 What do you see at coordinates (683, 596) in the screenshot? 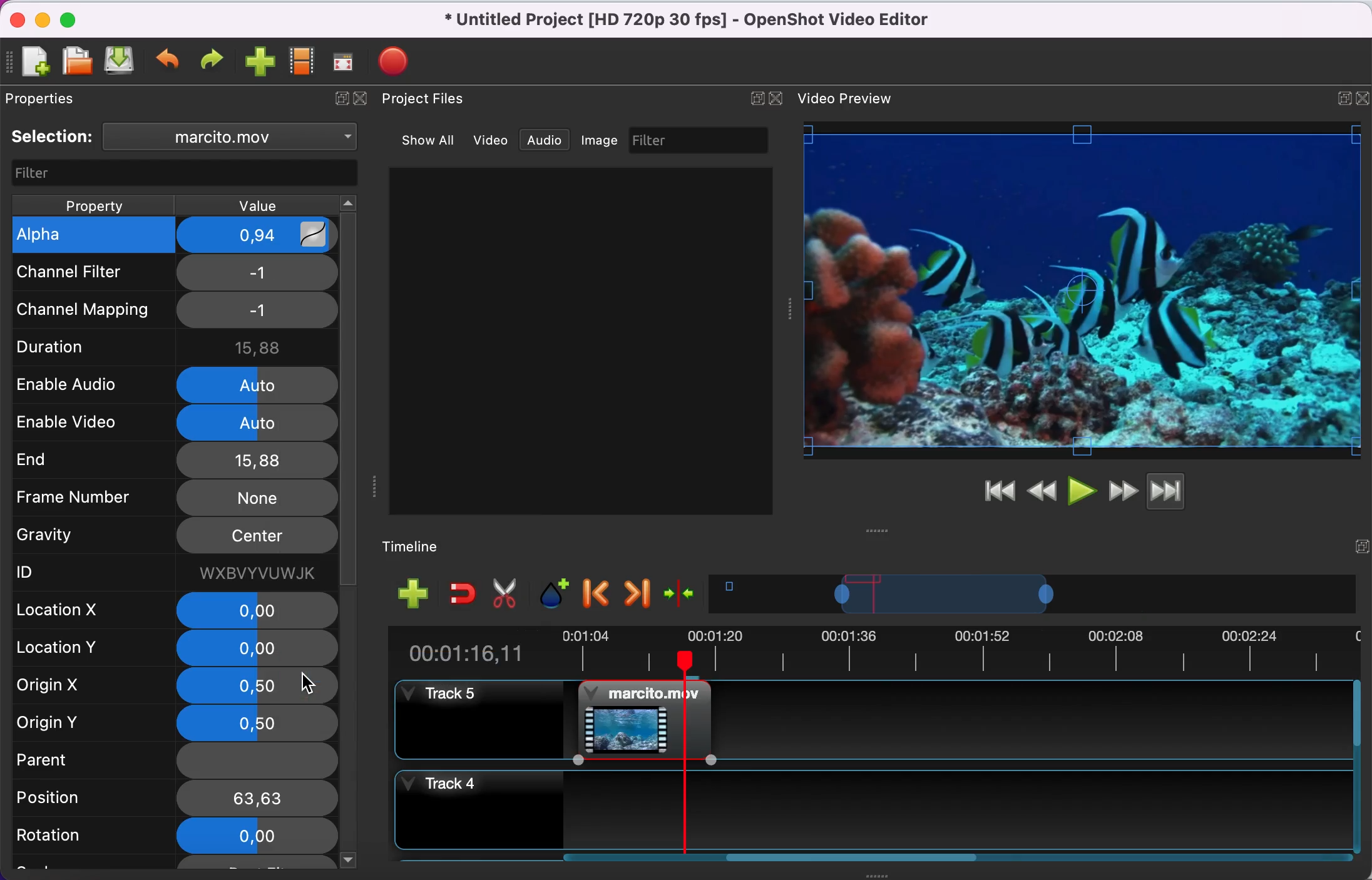
I see `center the timeline` at bounding box center [683, 596].